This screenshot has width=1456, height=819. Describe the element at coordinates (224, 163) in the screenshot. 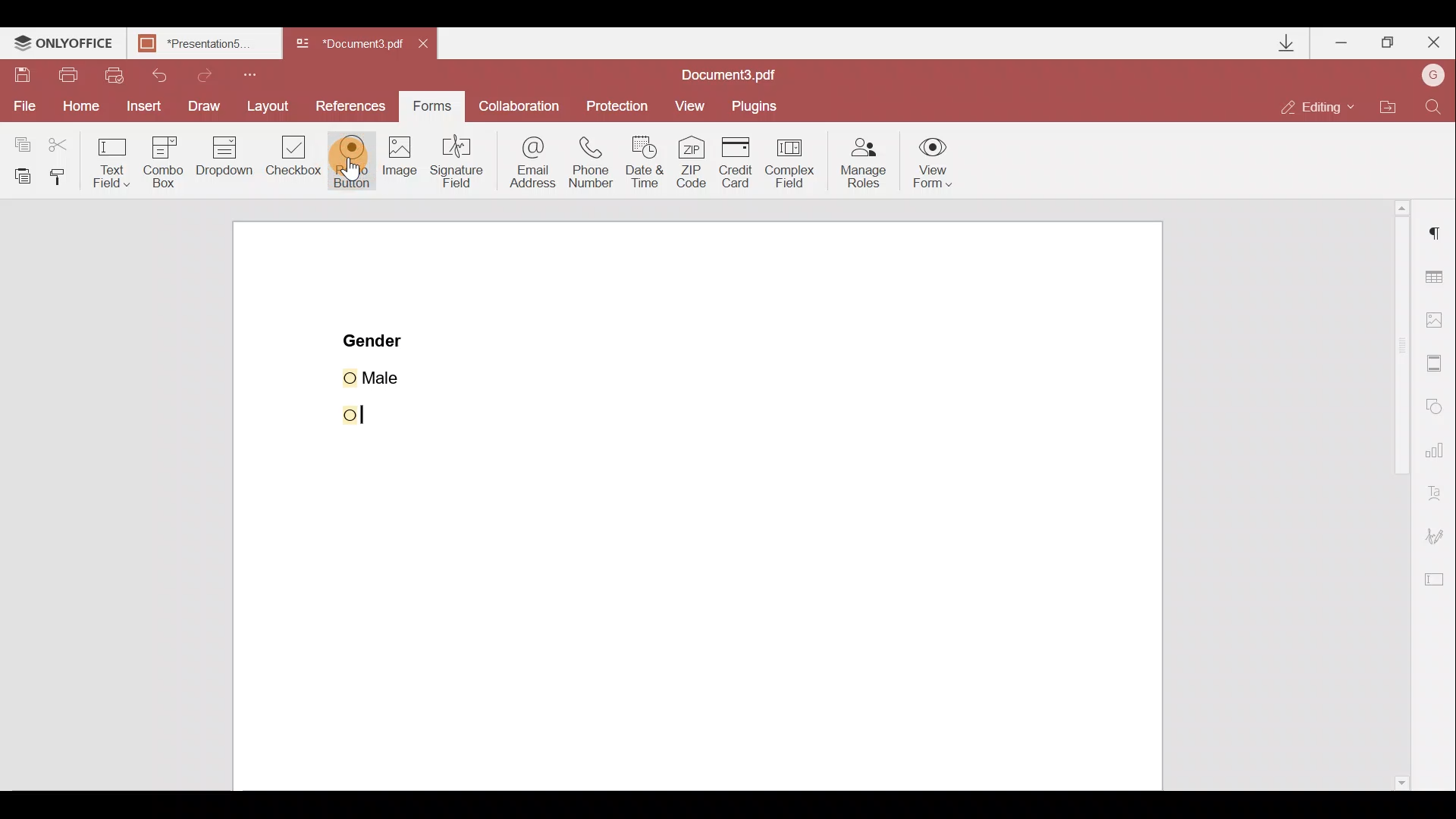

I see `Dropdown` at that location.